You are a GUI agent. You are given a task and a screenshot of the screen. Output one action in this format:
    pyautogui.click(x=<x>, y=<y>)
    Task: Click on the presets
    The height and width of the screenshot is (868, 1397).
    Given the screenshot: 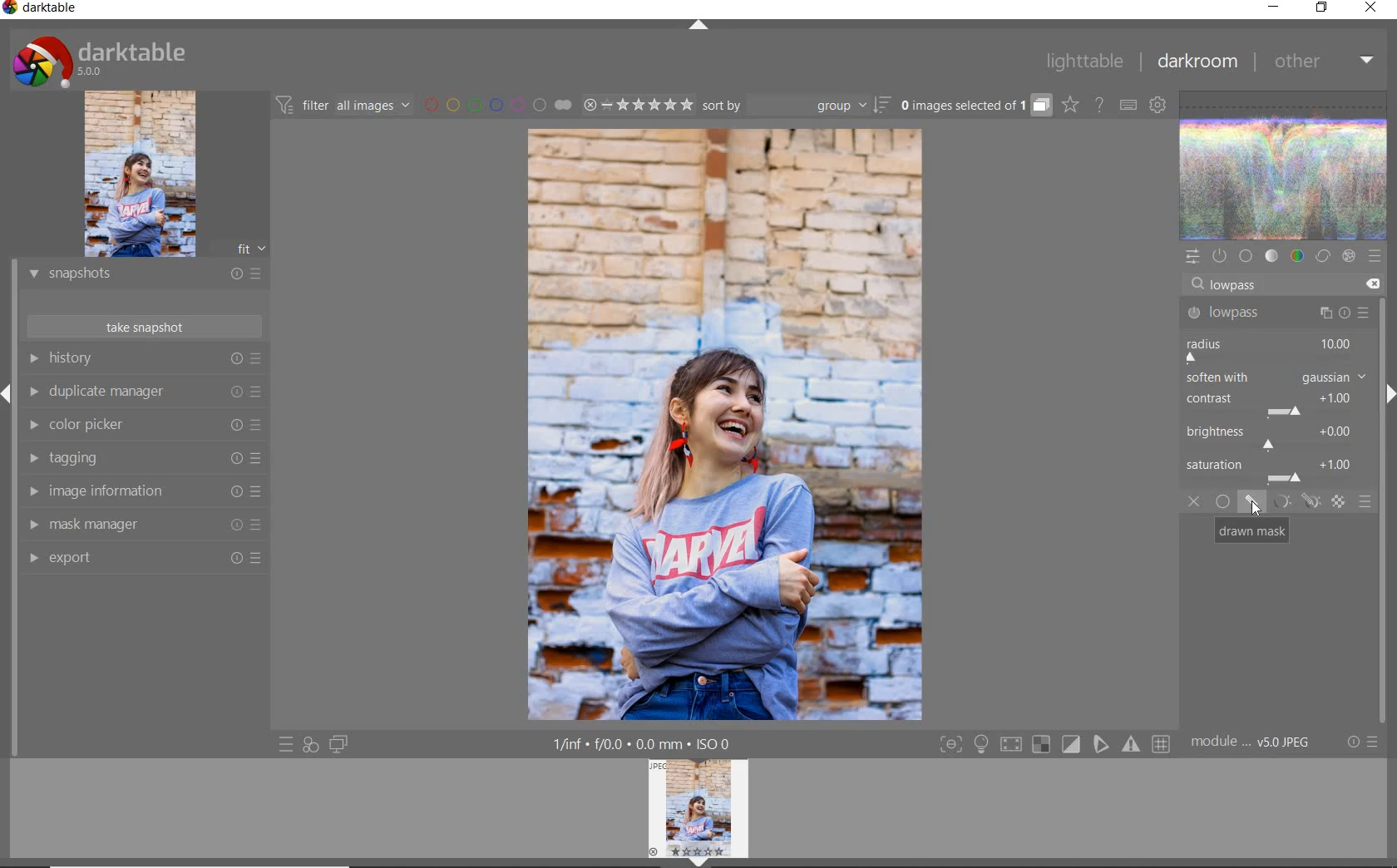 What is the action you would take?
    pyautogui.click(x=1375, y=256)
    